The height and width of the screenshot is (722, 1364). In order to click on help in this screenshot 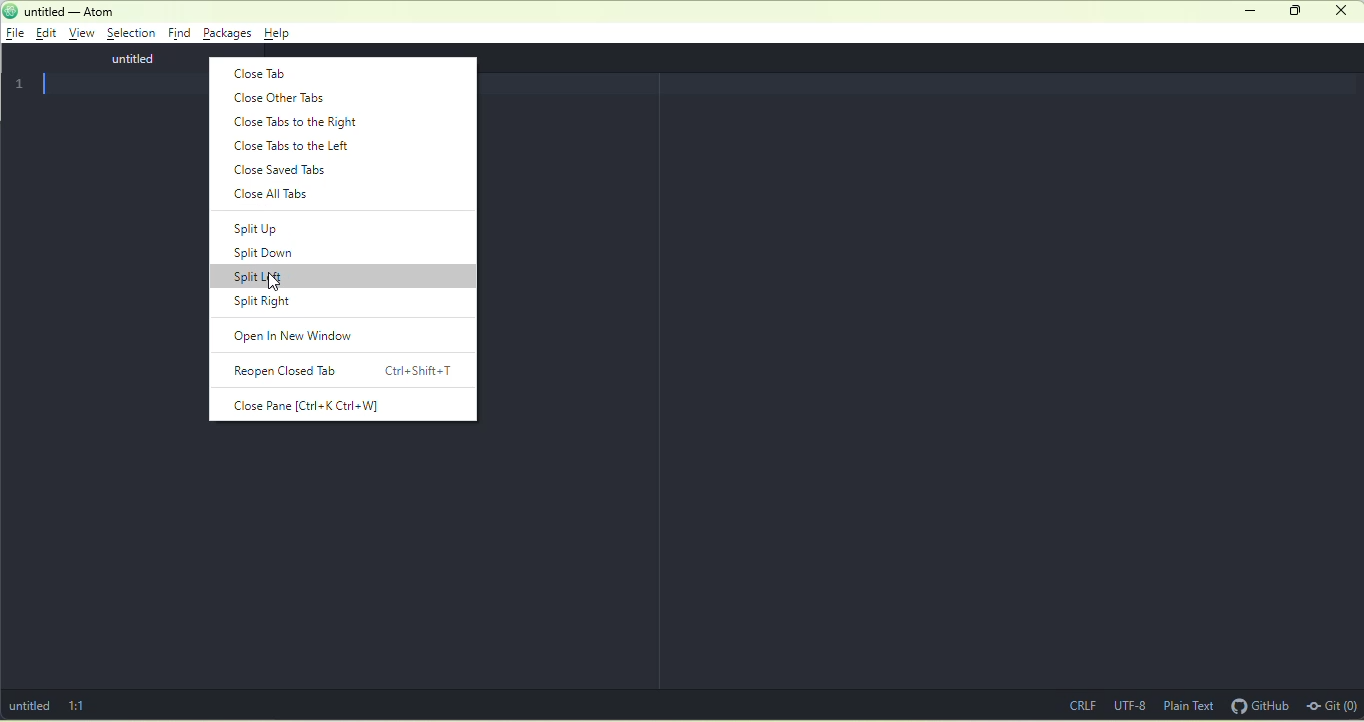, I will do `click(280, 33)`.